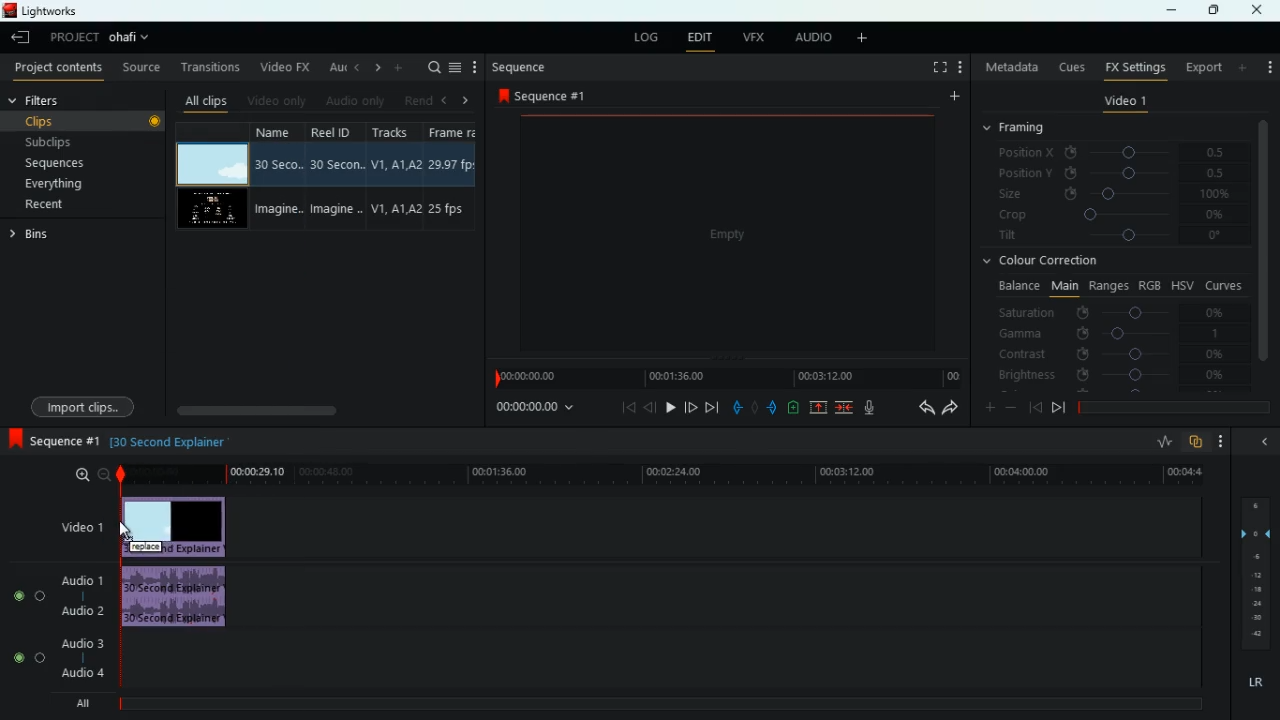 Image resolution: width=1280 pixels, height=720 pixels. I want to click on colour correction, so click(1045, 263).